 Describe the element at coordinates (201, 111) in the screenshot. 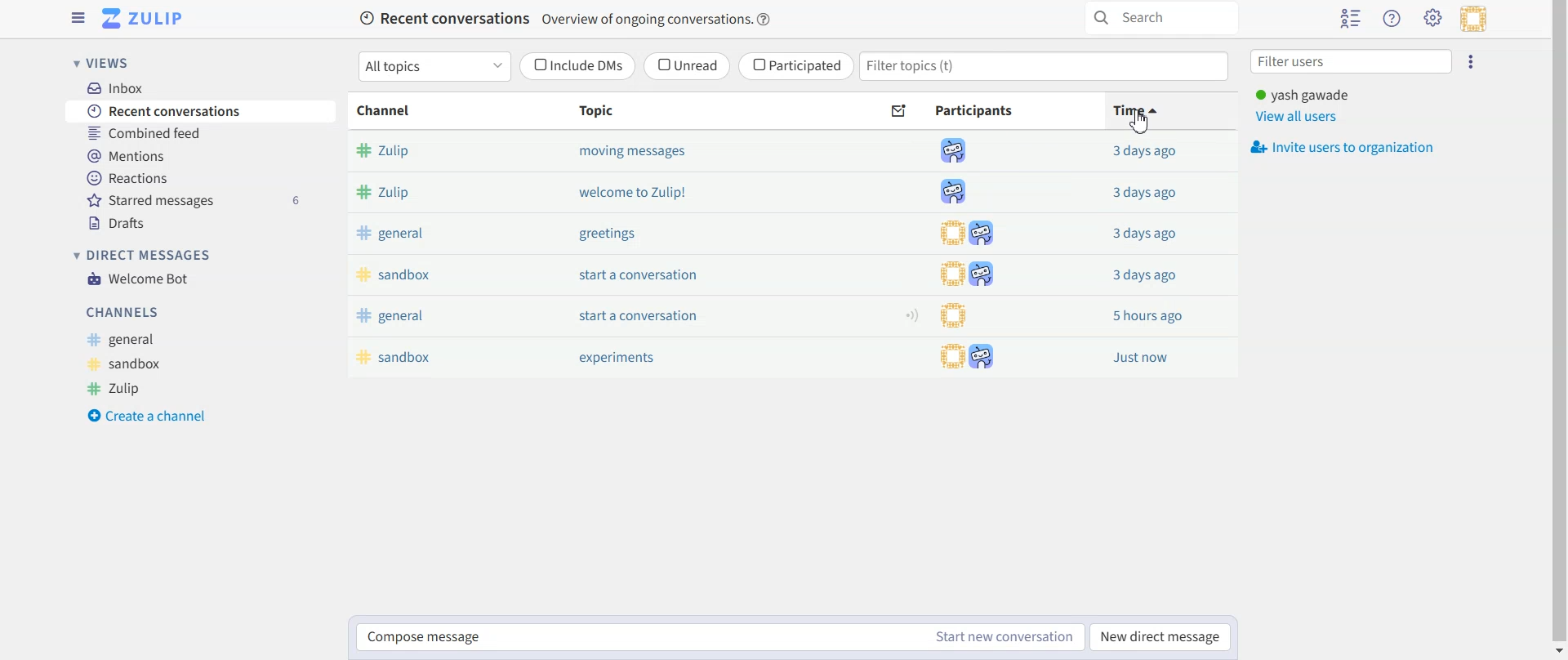

I see `Recent Conversations` at that location.